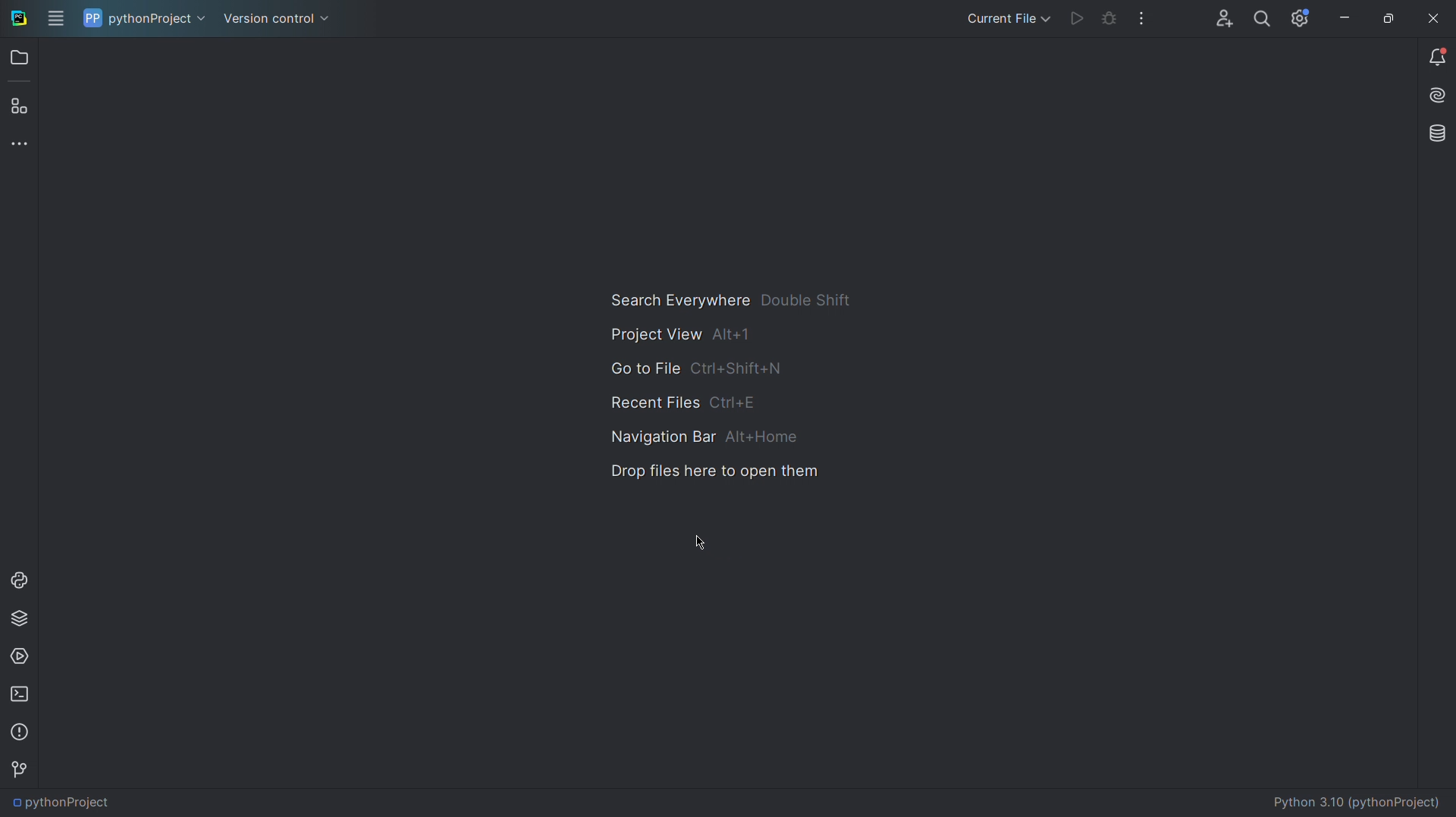  What do you see at coordinates (1388, 21) in the screenshot?
I see `maximize` at bounding box center [1388, 21].